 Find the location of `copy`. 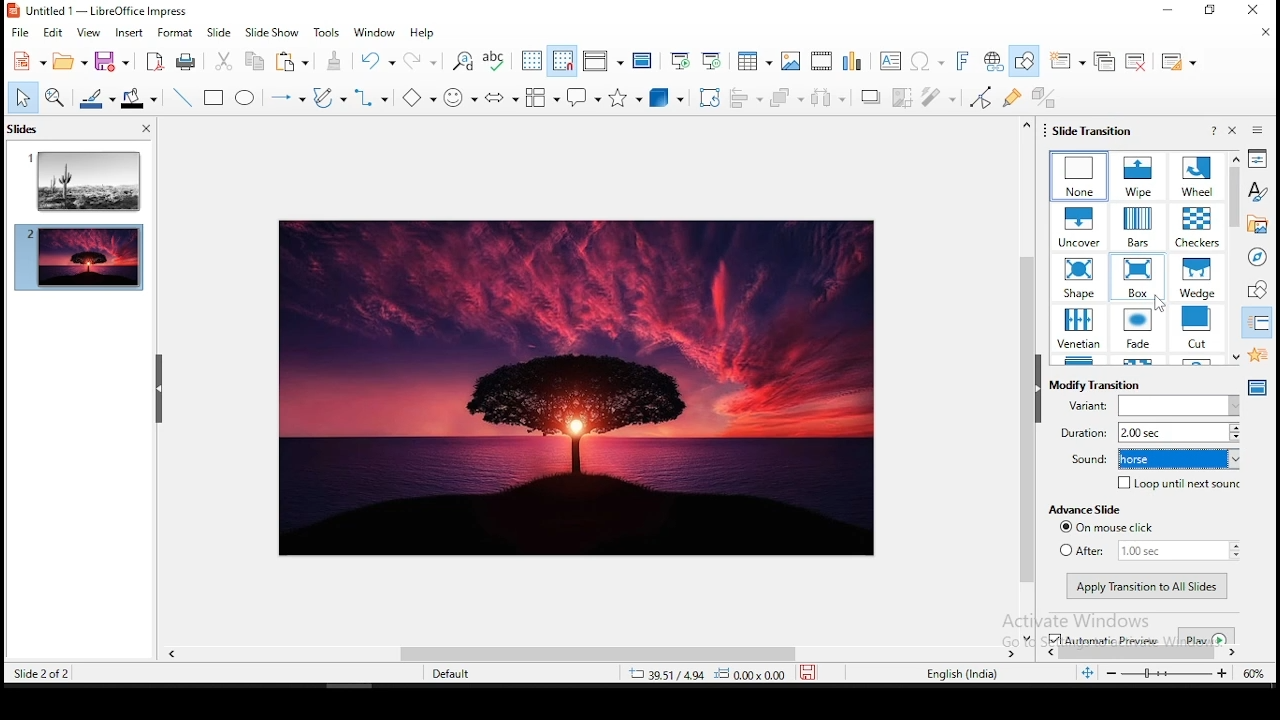

copy is located at coordinates (253, 61).